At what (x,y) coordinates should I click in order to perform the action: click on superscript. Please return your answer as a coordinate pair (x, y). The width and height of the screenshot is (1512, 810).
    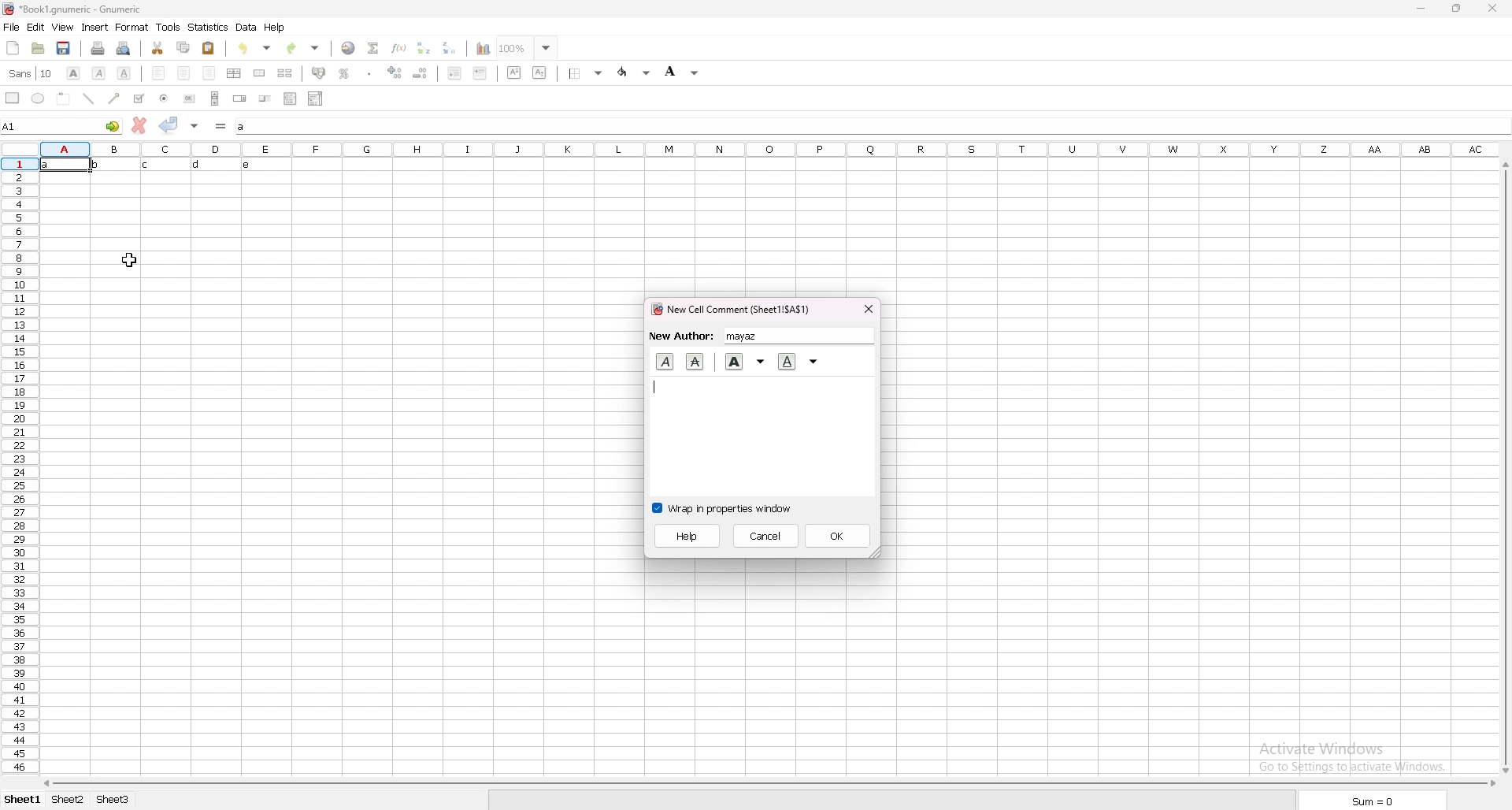
    Looking at the image, I should click on (515, 73).